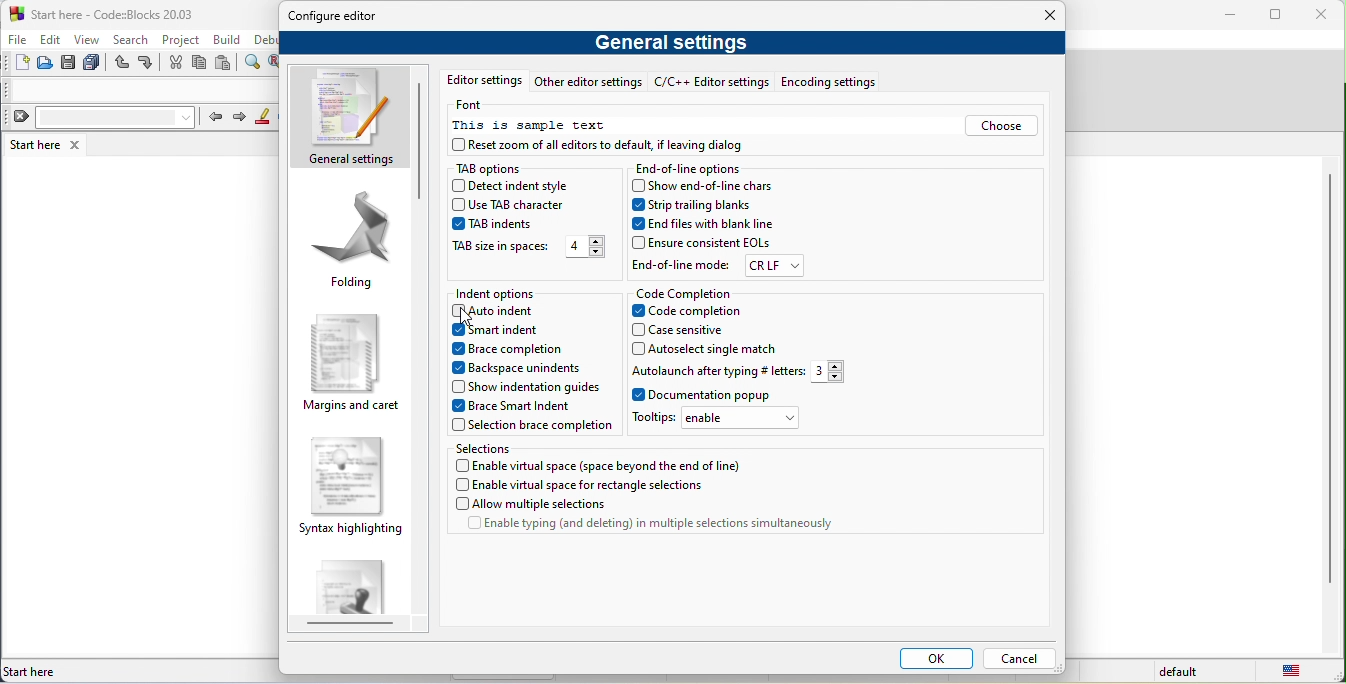 The width and height of the screenshot is (1346, 684). I want to click on selection, so click(485, 449).